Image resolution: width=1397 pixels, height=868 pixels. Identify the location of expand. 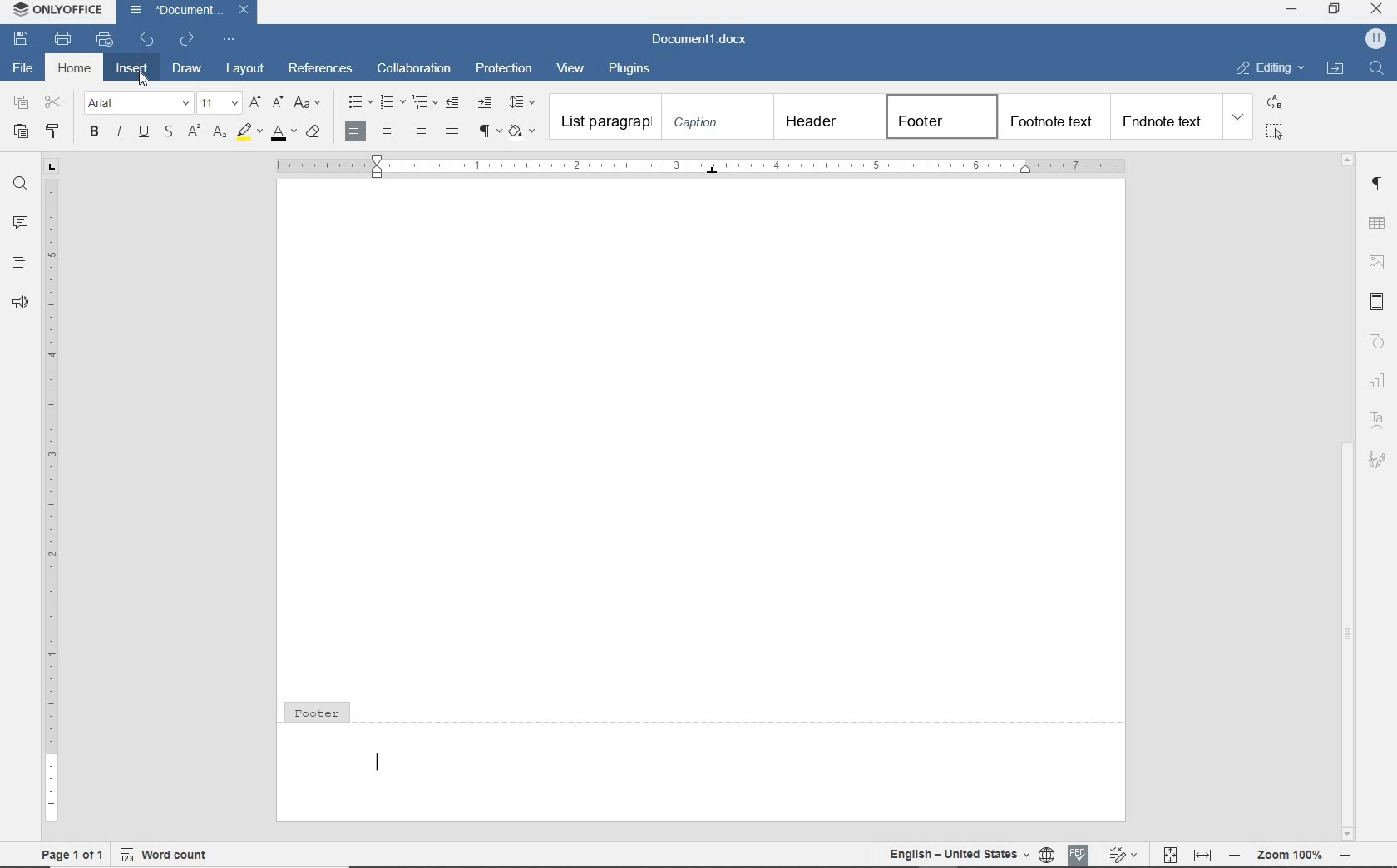
(1238, 116).